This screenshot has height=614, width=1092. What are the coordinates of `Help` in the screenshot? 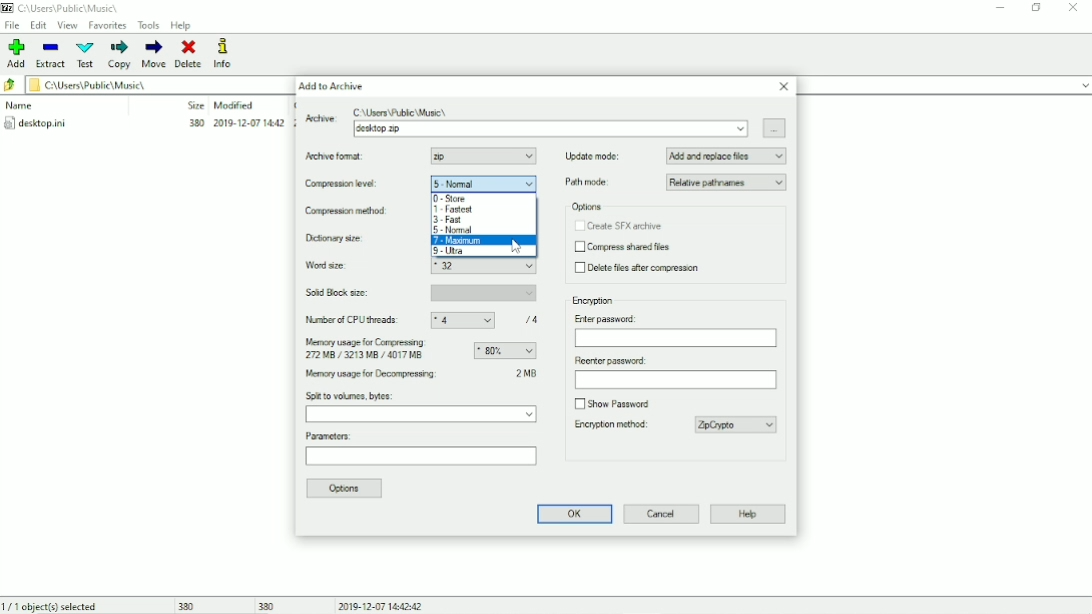 It's located at (181, 26).